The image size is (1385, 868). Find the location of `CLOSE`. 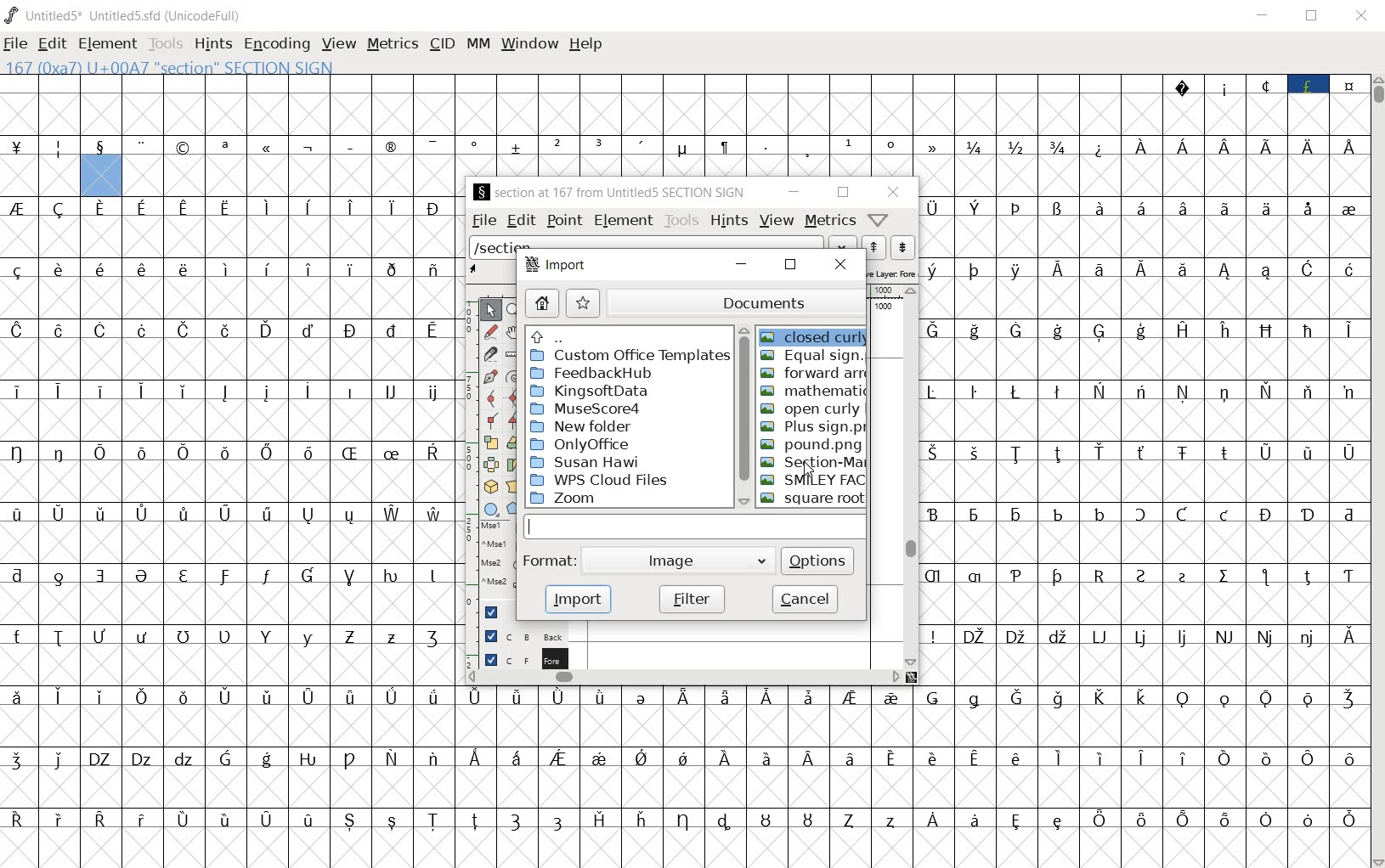

CLOSE is located at coordinates (1361, 18).